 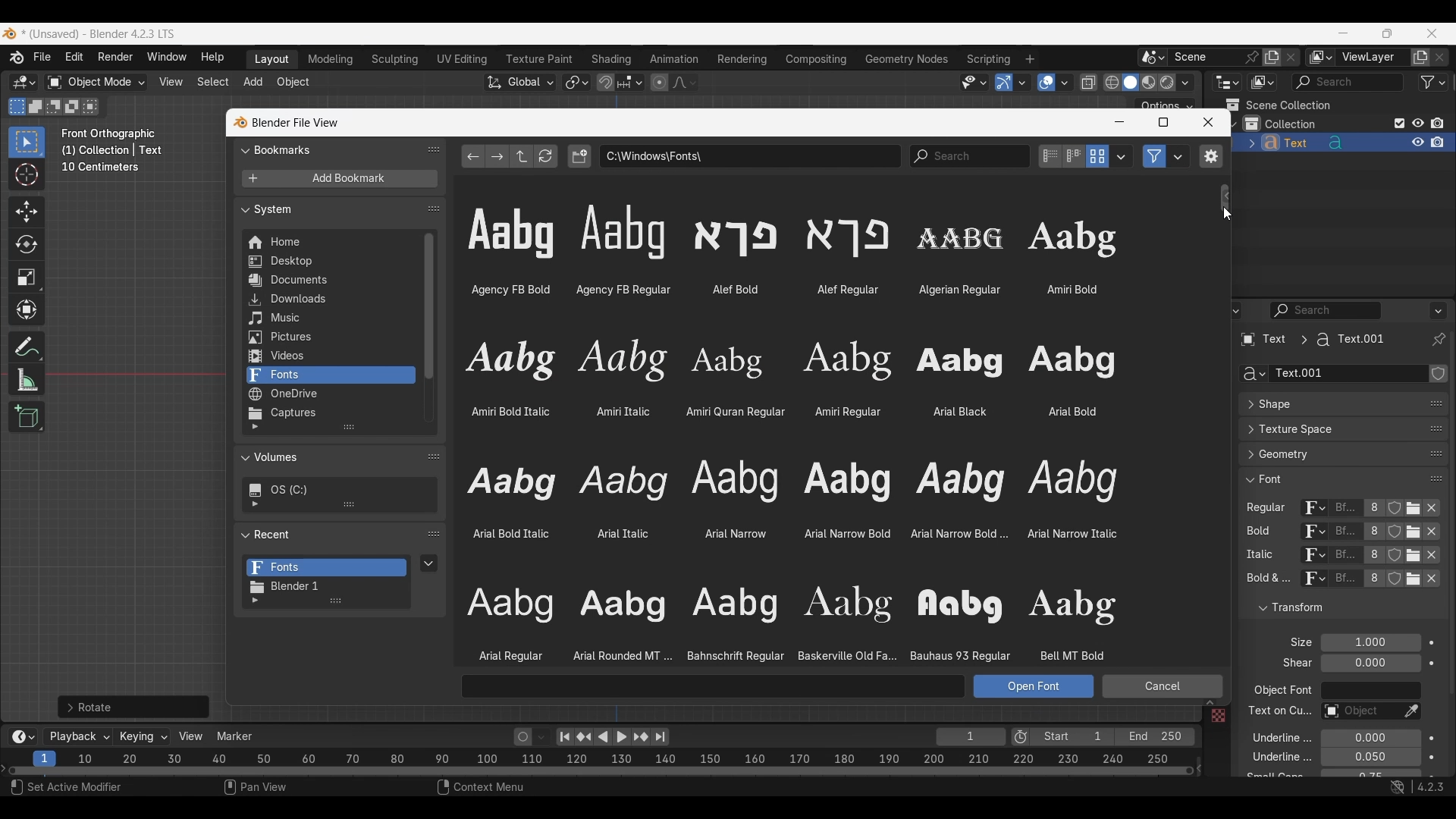 What do you see at coordinates (36, 107) in the screenshot?
I see `Extend existing selection` at bounding box center [36, 107].